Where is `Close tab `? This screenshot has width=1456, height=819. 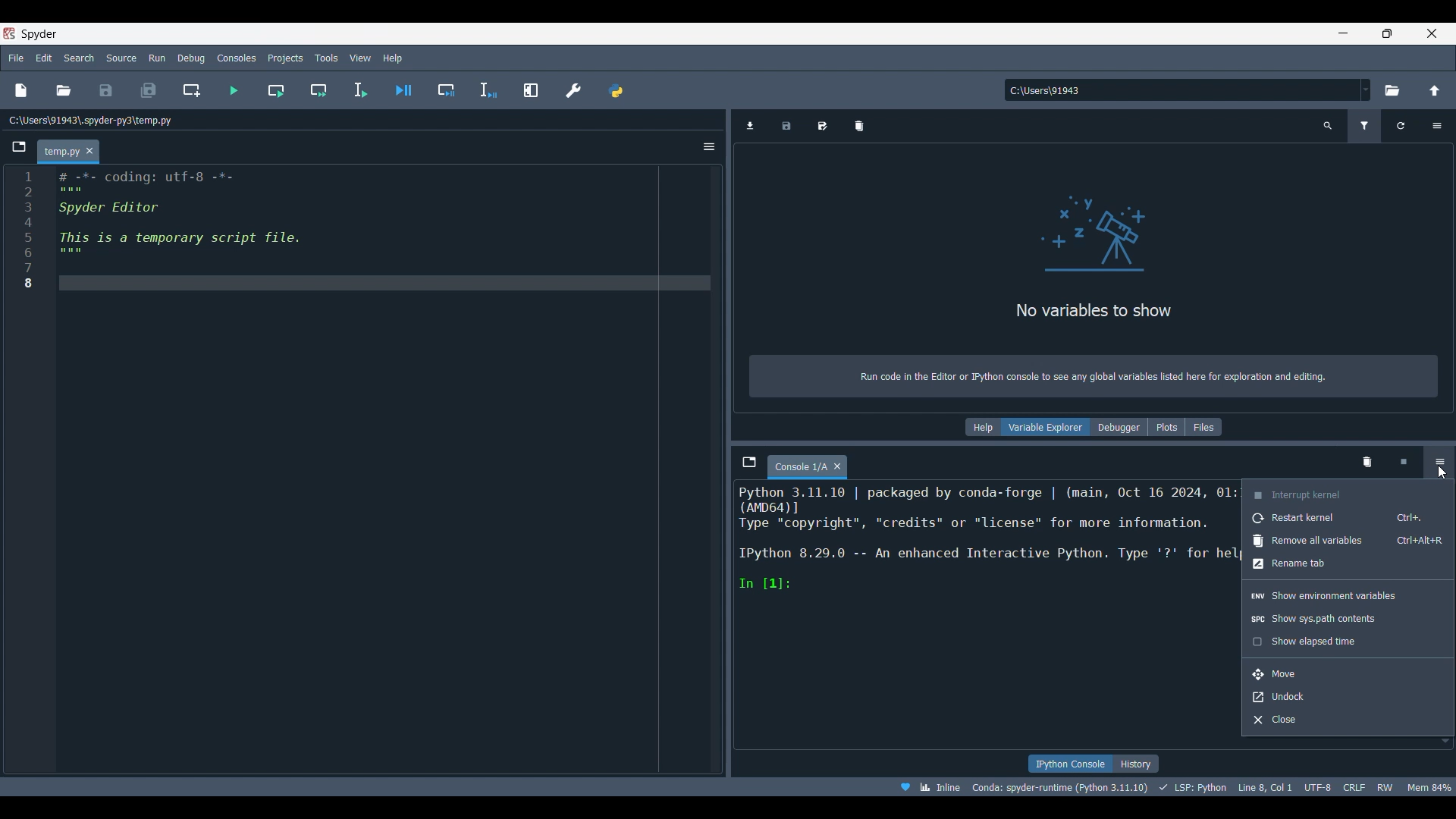
Close tab  is located at coordinates (89, 151).